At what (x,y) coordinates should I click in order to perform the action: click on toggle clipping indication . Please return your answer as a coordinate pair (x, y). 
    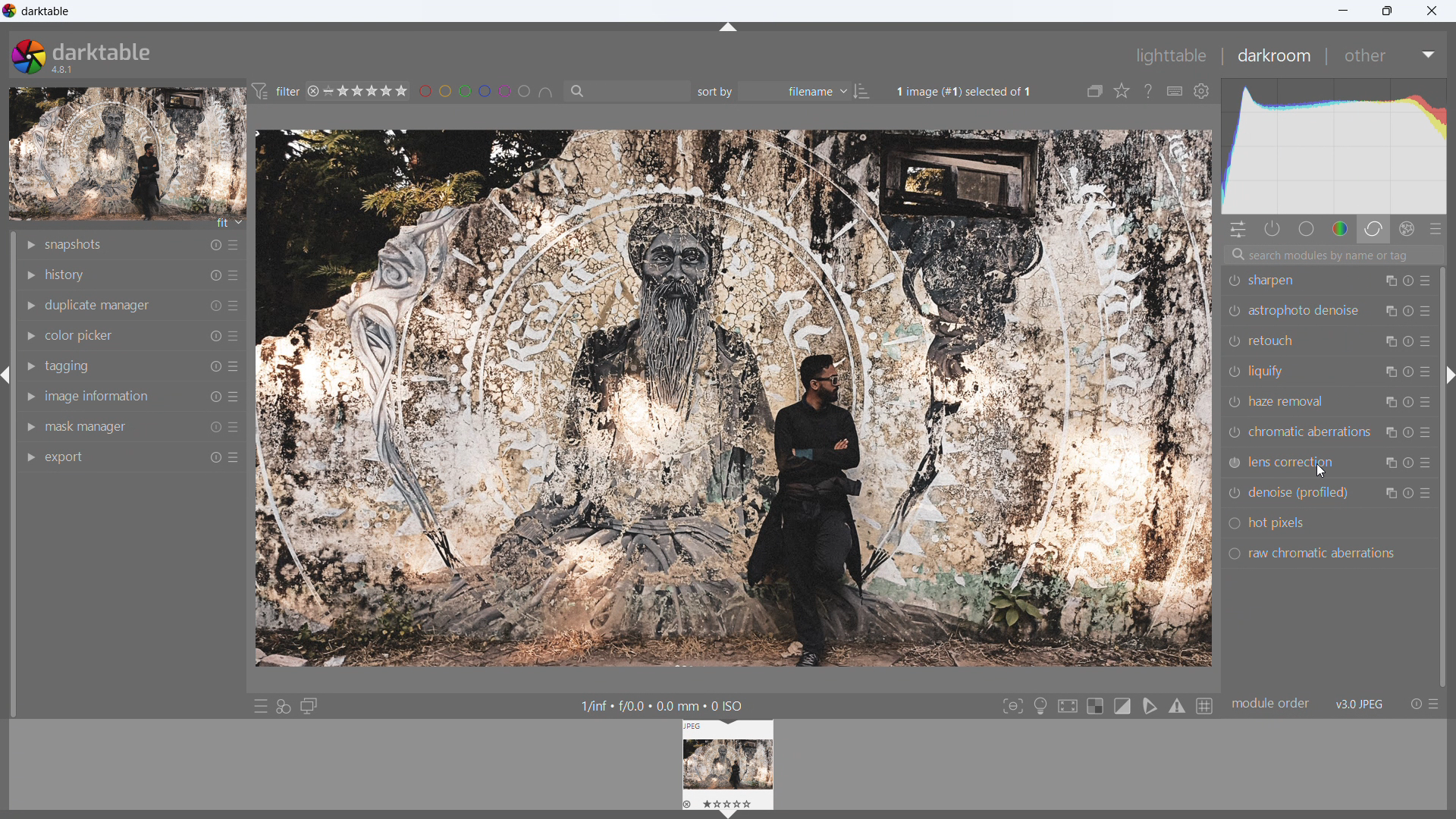
    Looking at the image, I should click on (1122, 706).